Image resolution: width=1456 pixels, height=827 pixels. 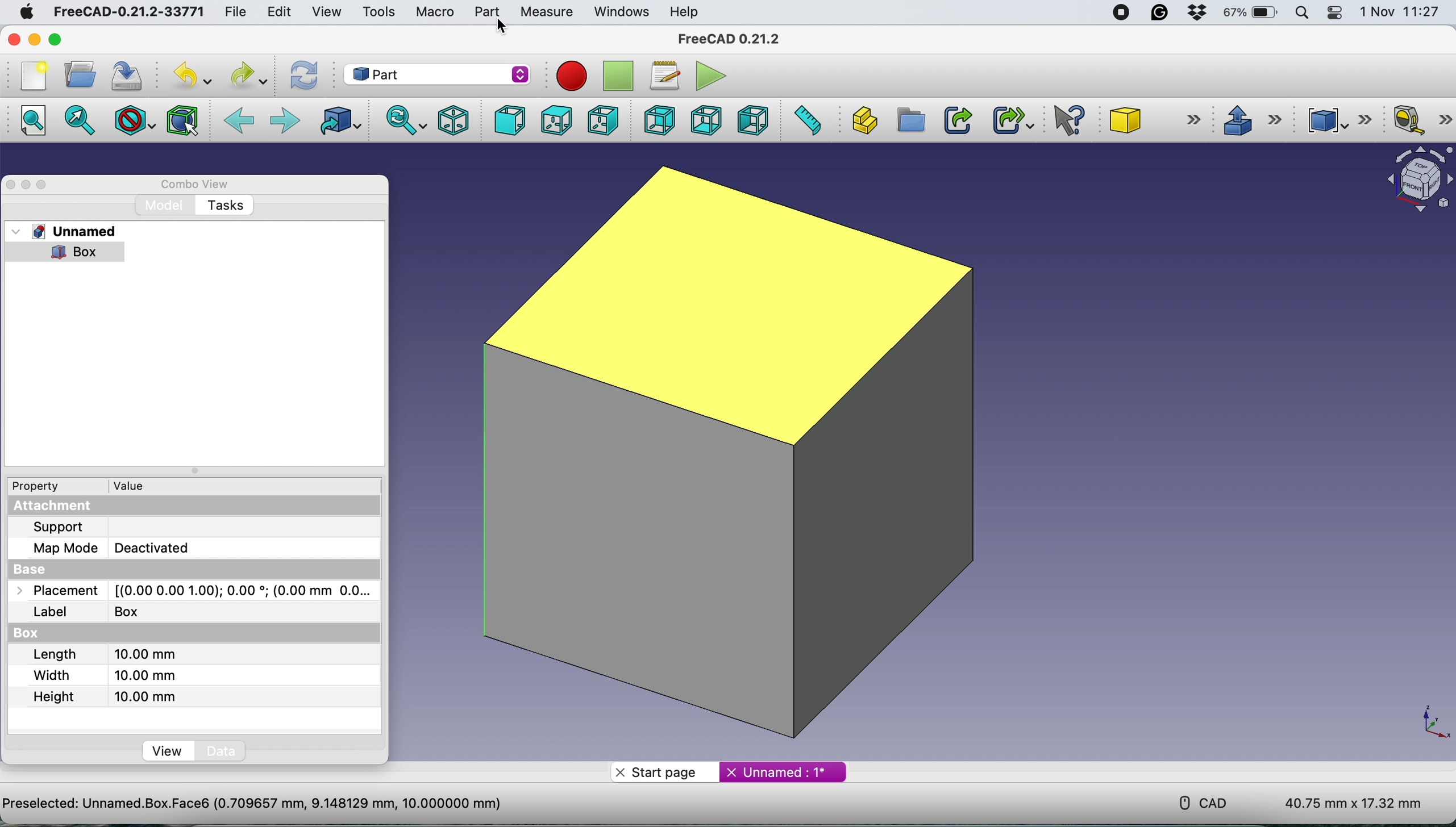 What do you see at coordinates (1065, 120) in the screenshot?
I see `what's this` at bounding box center [1065, 120].